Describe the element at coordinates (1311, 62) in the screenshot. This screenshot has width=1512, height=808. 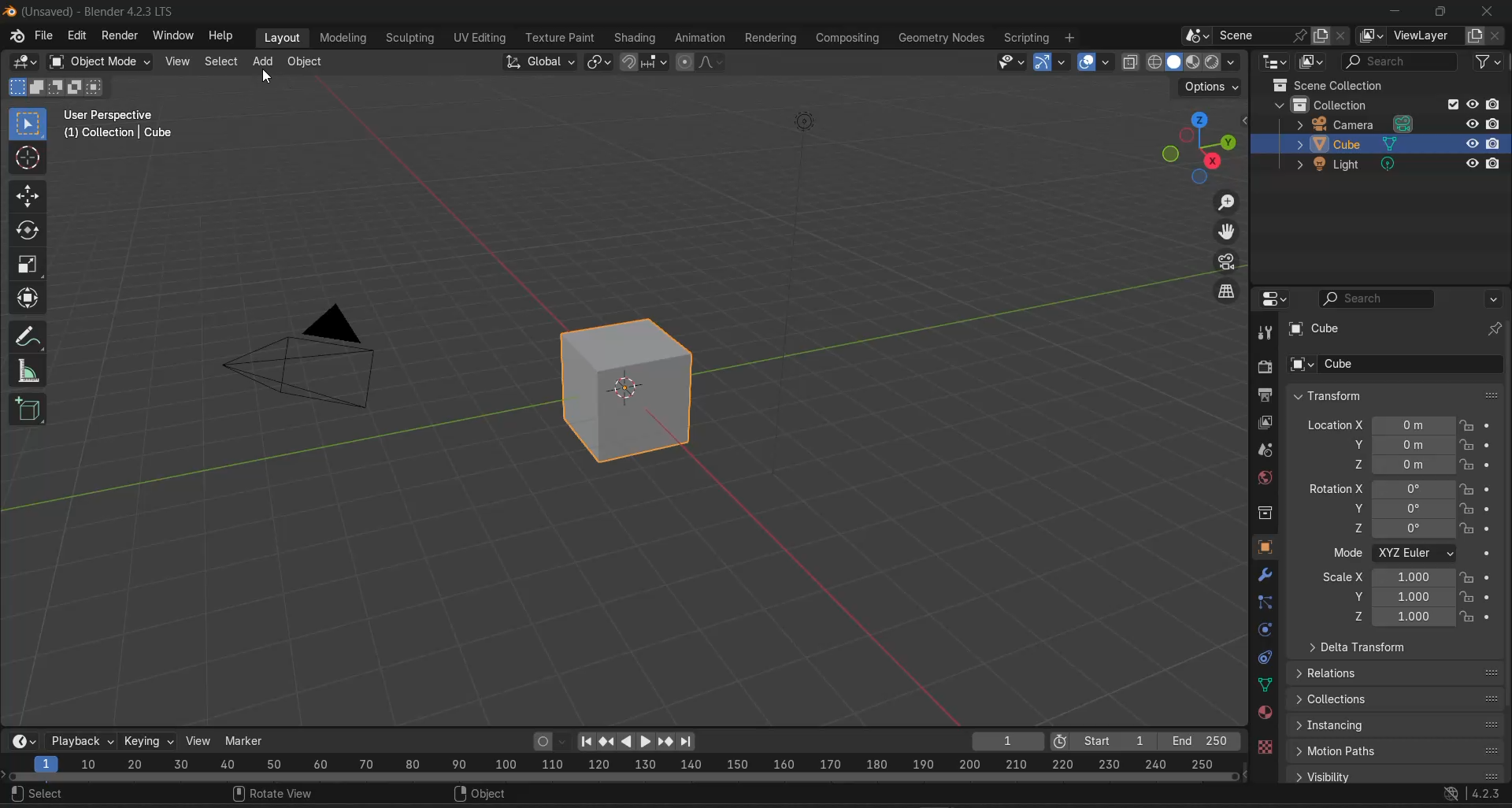
I see `display mode` at that location.